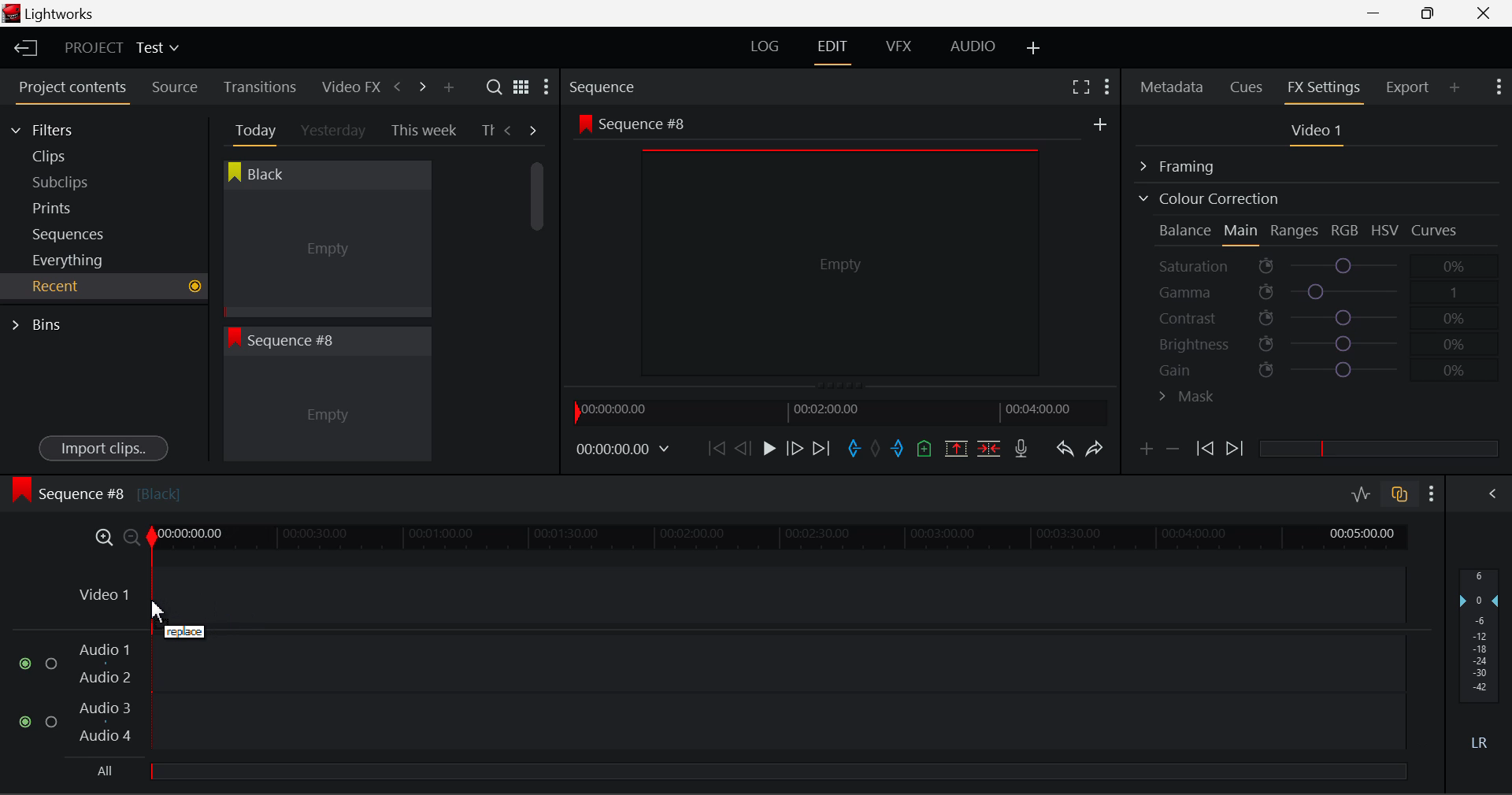  Describe the element at coordinates (1432, 13) in the screenshot. I see `Minimize` at that location.